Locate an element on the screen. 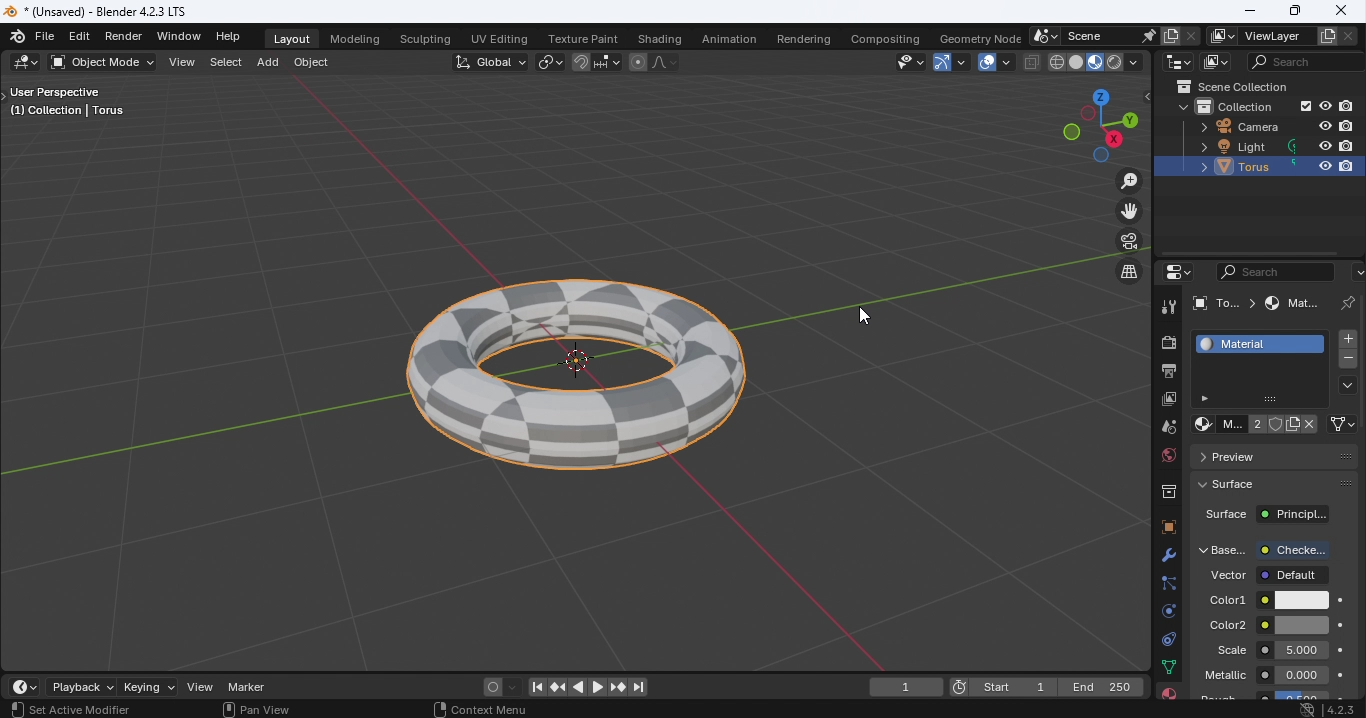  Switch the current view from perspective/orthographic prokection is located at coordinates (1111, 274).